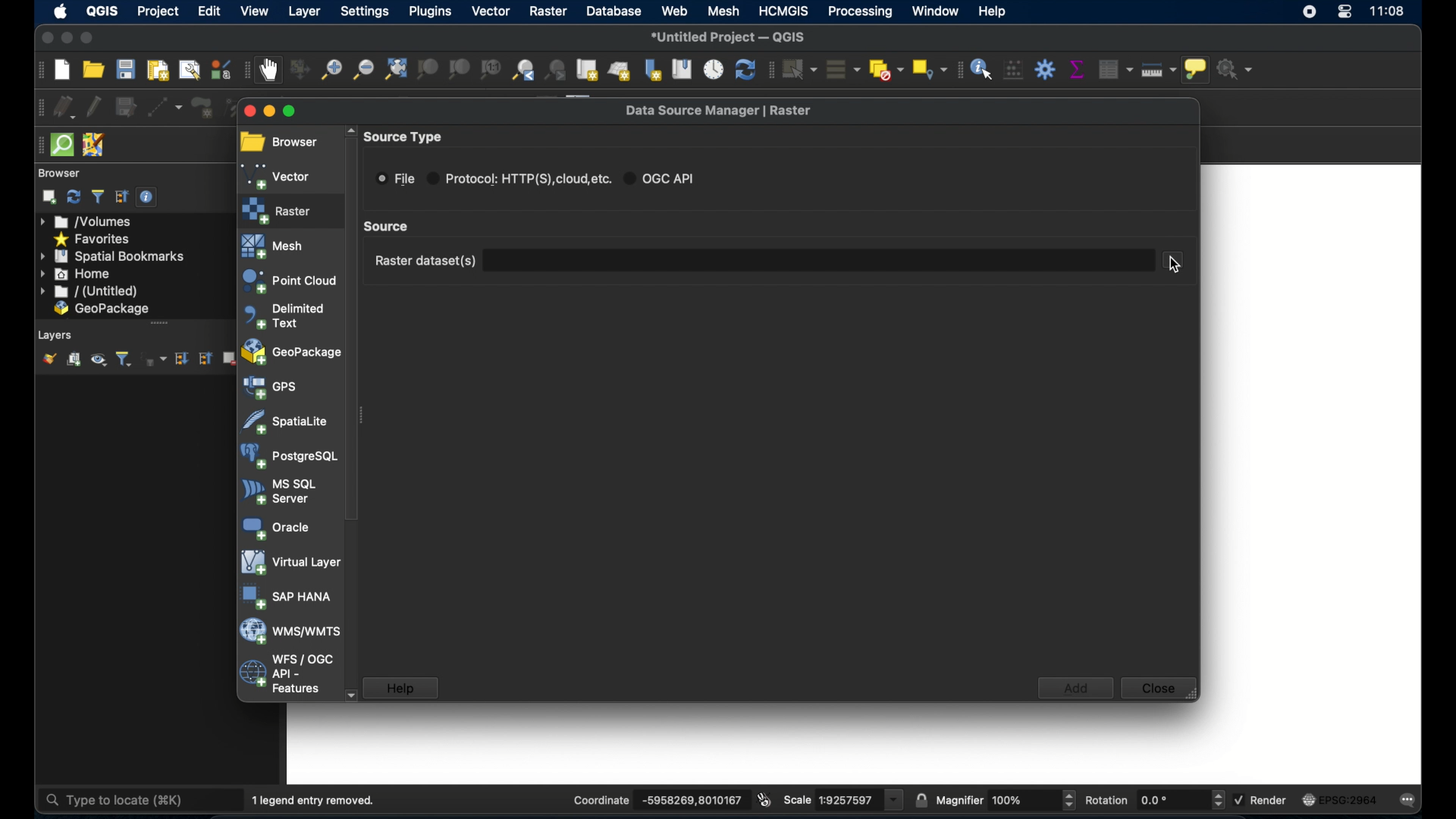  I want to click on remove layer/group, so click(229, 358).